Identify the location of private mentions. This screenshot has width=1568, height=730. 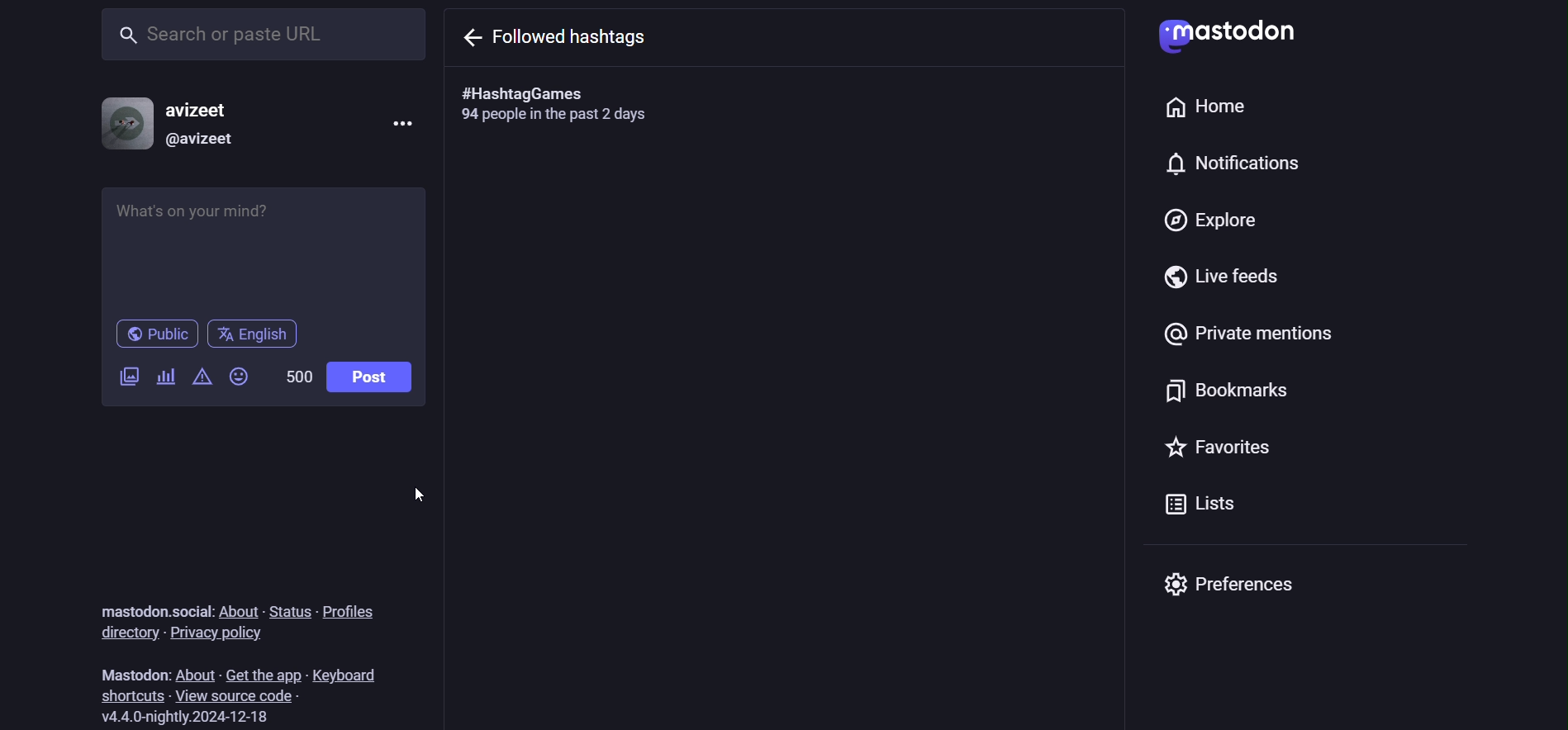
(1252, 334).